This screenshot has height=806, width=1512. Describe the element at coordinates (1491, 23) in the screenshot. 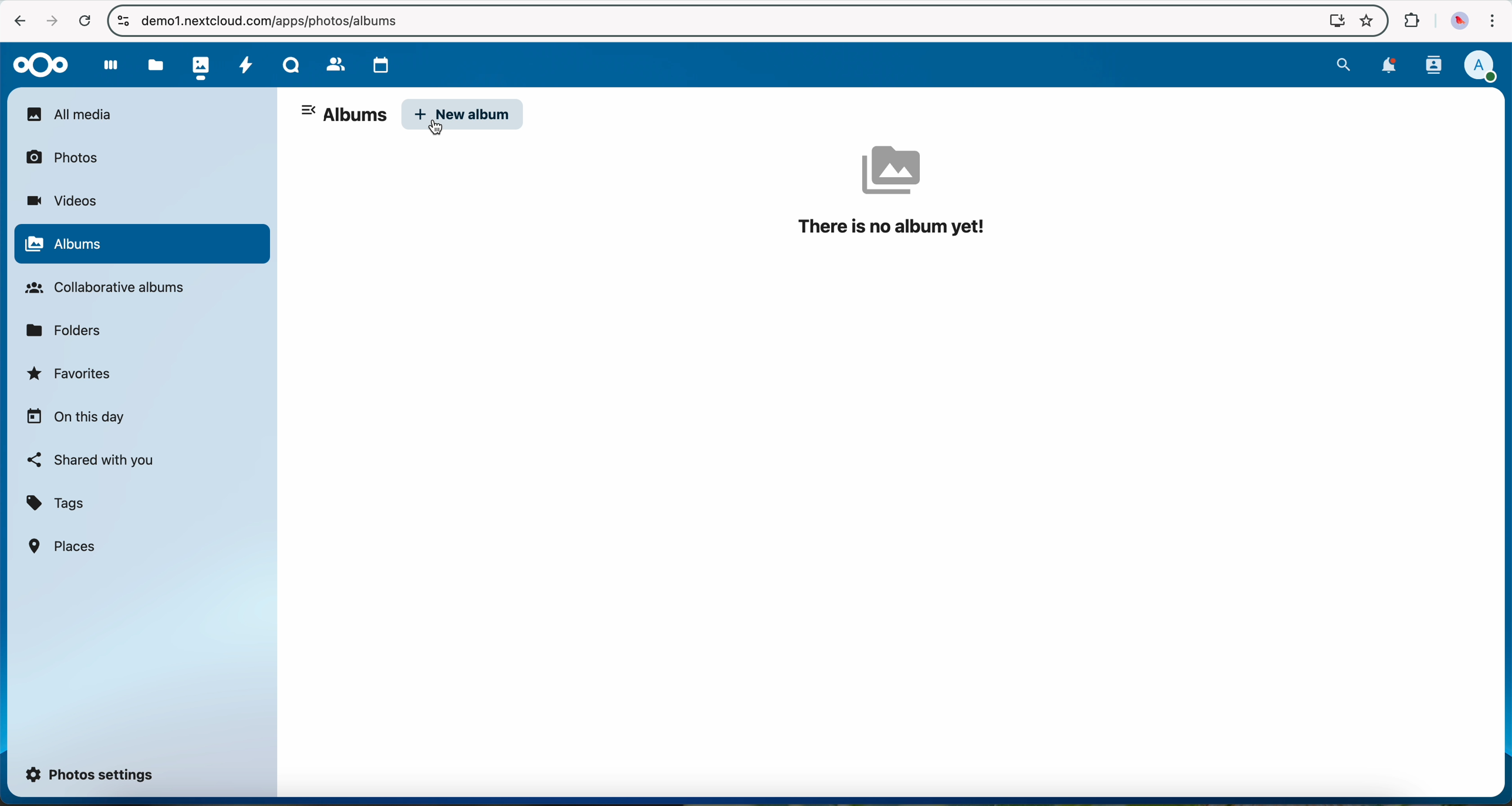

I see `customize and control Google Chrome` at that location.